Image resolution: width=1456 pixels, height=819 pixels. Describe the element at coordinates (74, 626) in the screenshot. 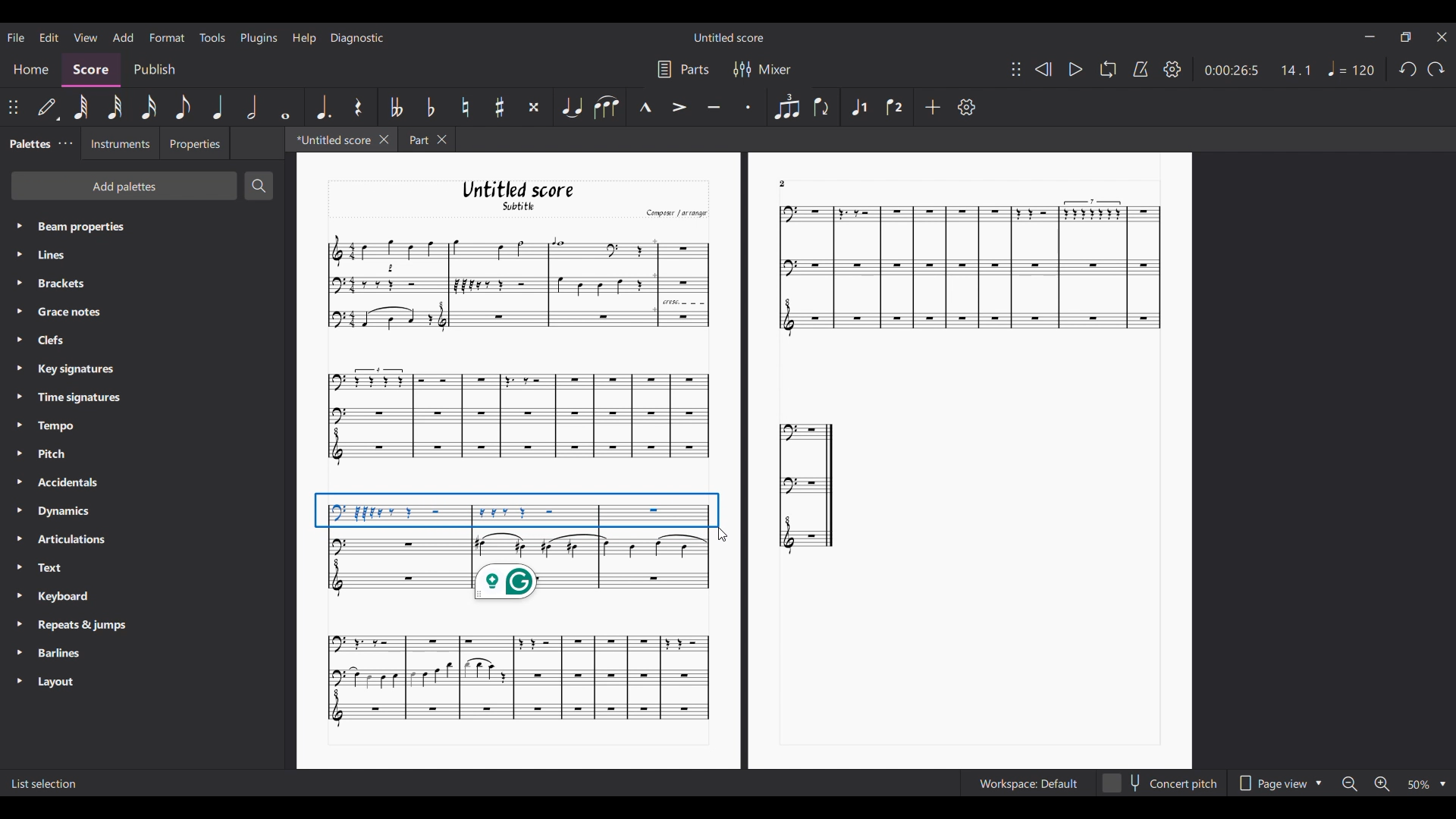

I see `> Repeats & jumps` at that location.